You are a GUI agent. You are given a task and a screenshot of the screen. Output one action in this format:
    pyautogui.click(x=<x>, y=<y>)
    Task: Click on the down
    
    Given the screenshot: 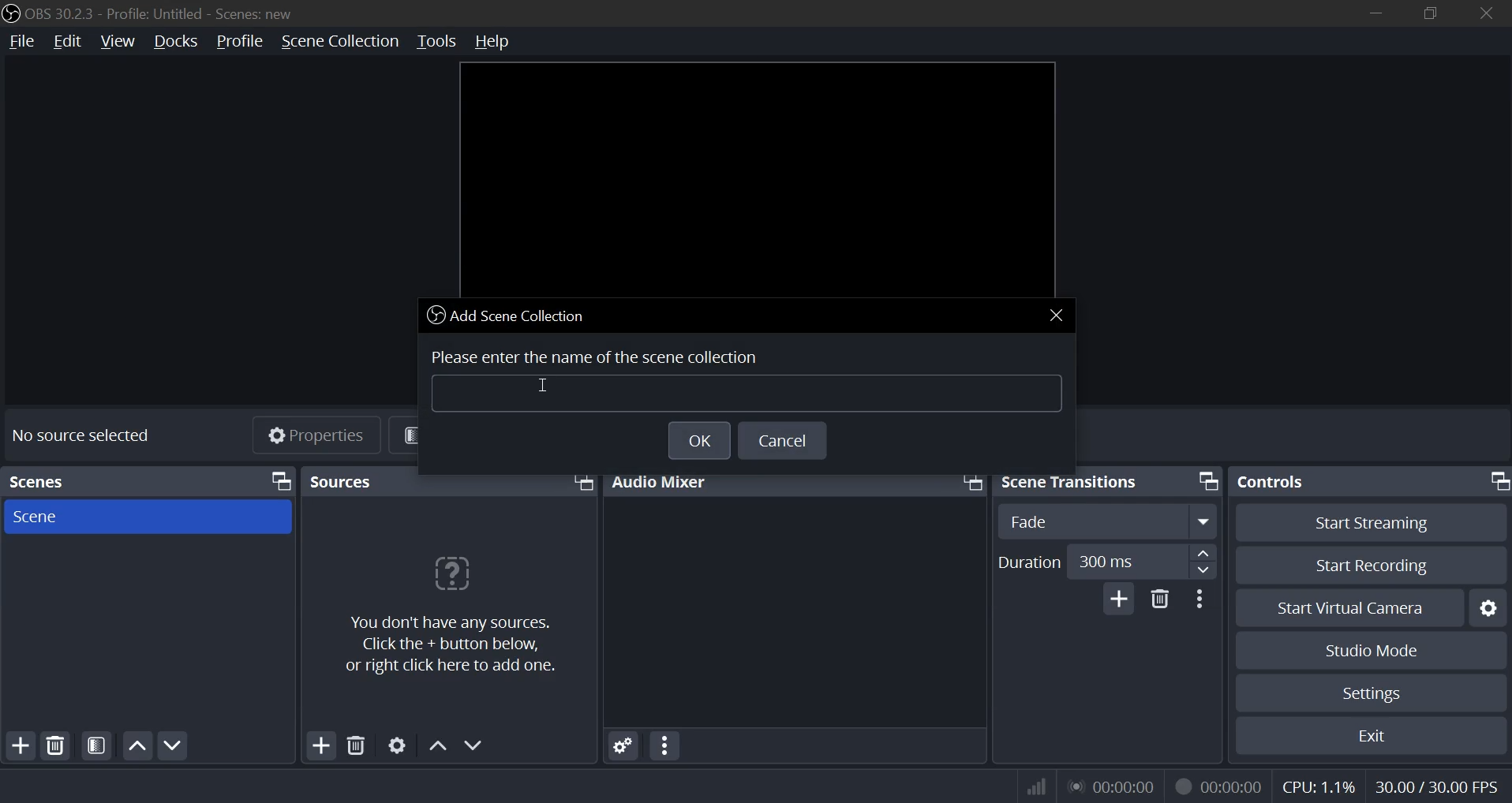 What is the action you would take?
    pyautogui.click(x=475, y=745)
    